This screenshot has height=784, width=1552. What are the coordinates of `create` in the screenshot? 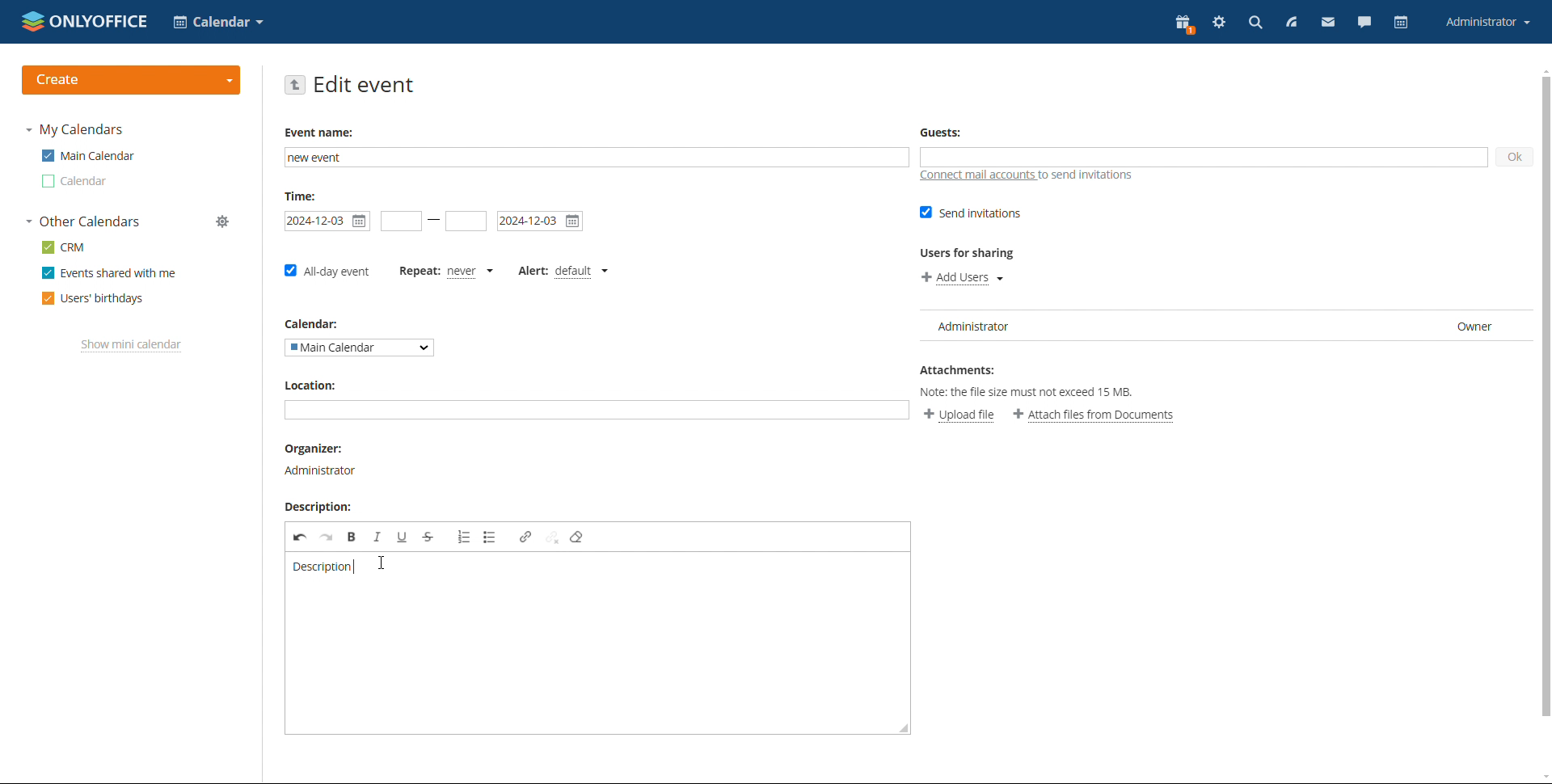 It's located at (132, 80).